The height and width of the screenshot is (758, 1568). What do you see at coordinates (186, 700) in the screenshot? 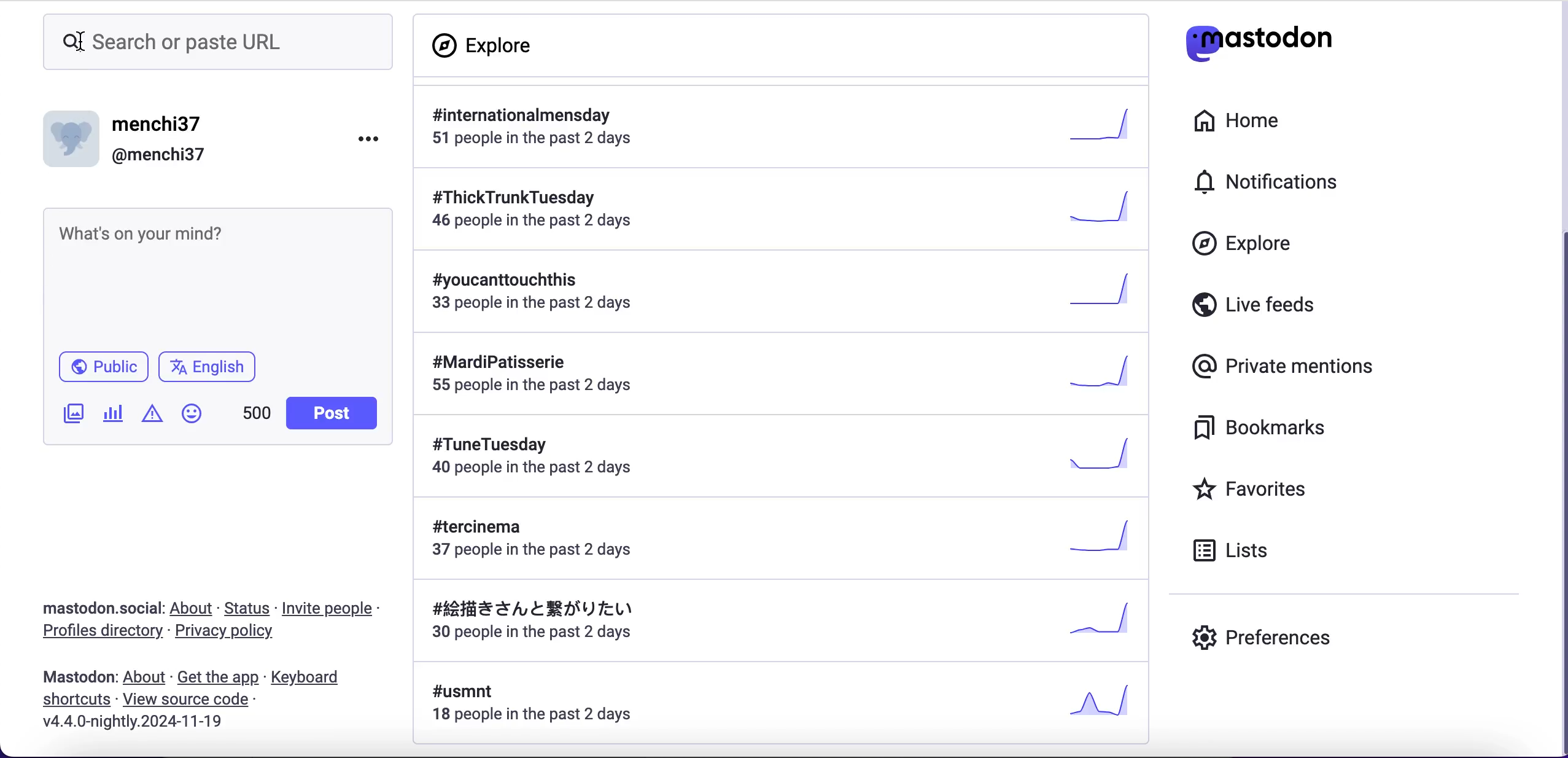
I see `view source code` at bounding box center [186, 700].